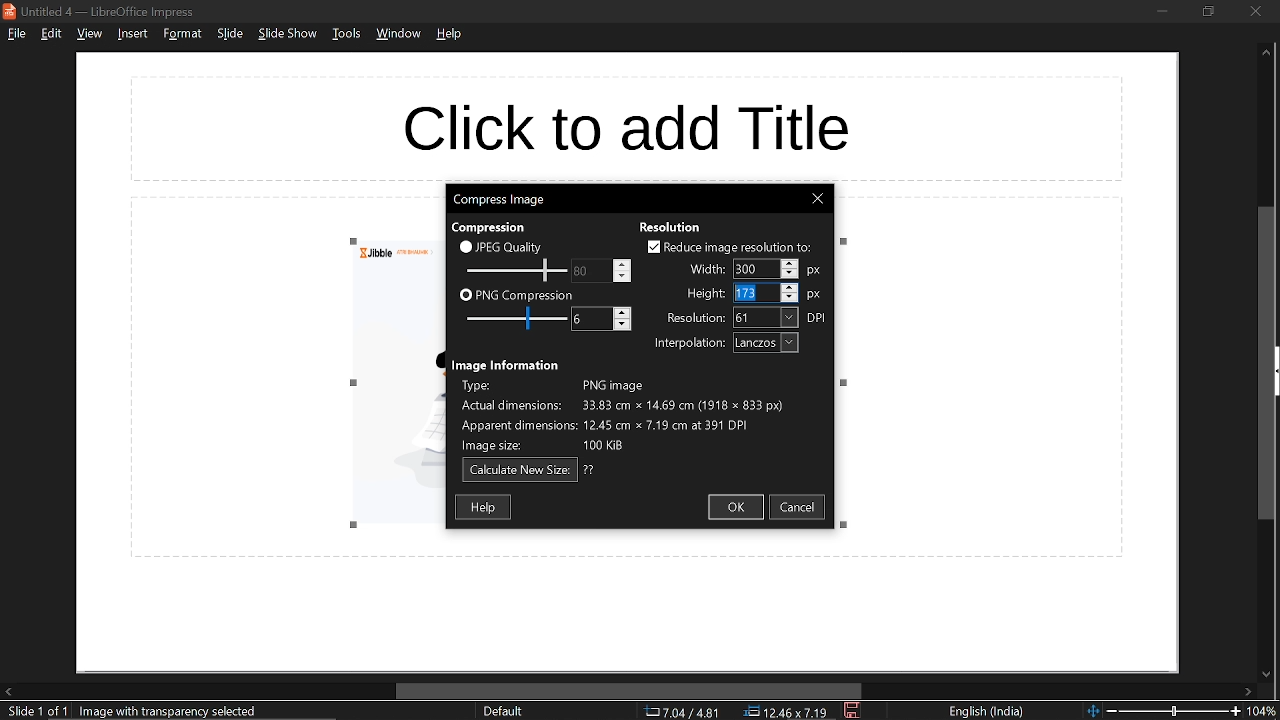 This screenshot has height=720, width=1280. Describe the element at coordinates (33, 712) in the screenshot. I see `current slide` at that location.